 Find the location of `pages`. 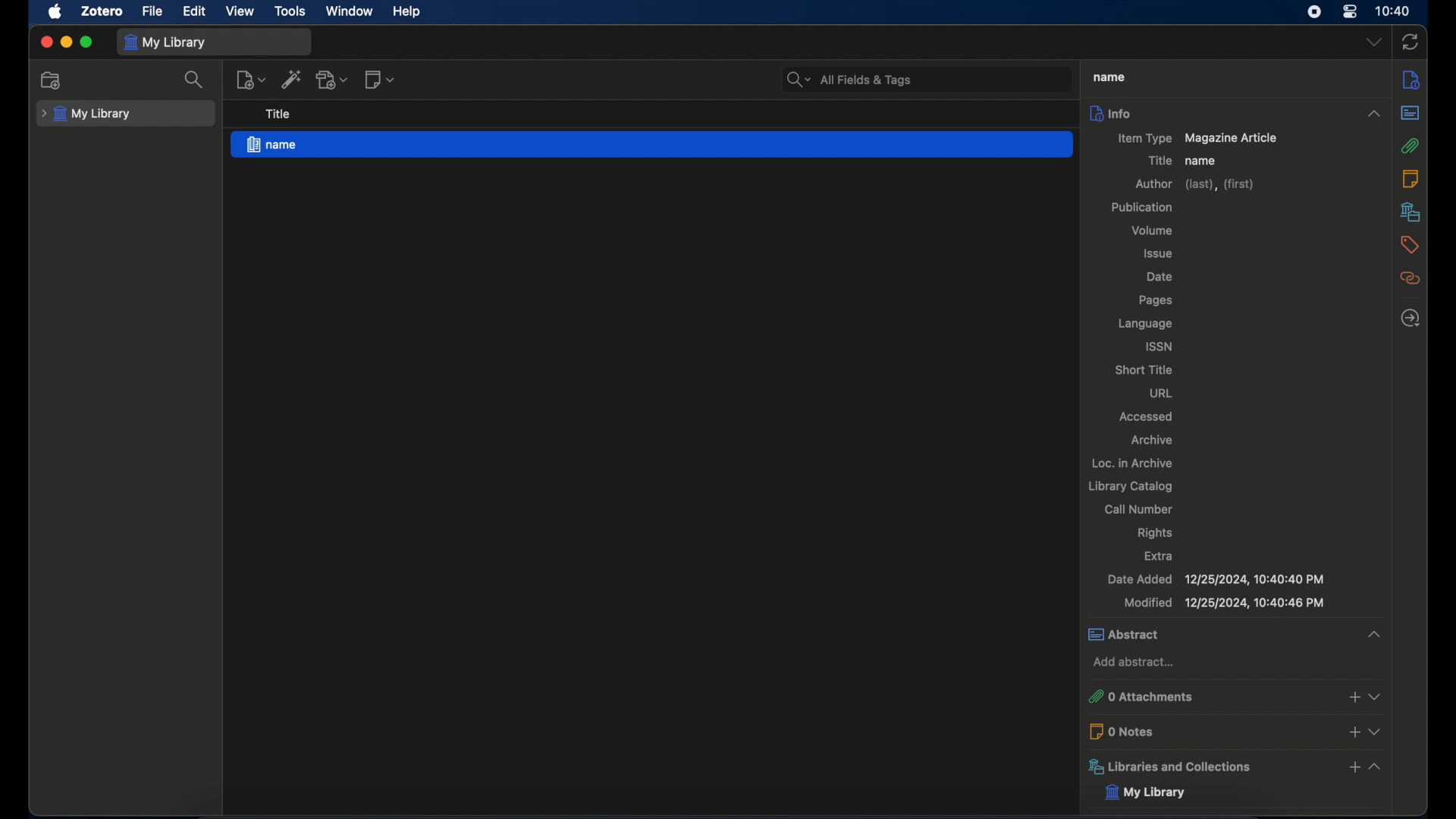

pages is located at coordinates (1155, 300).